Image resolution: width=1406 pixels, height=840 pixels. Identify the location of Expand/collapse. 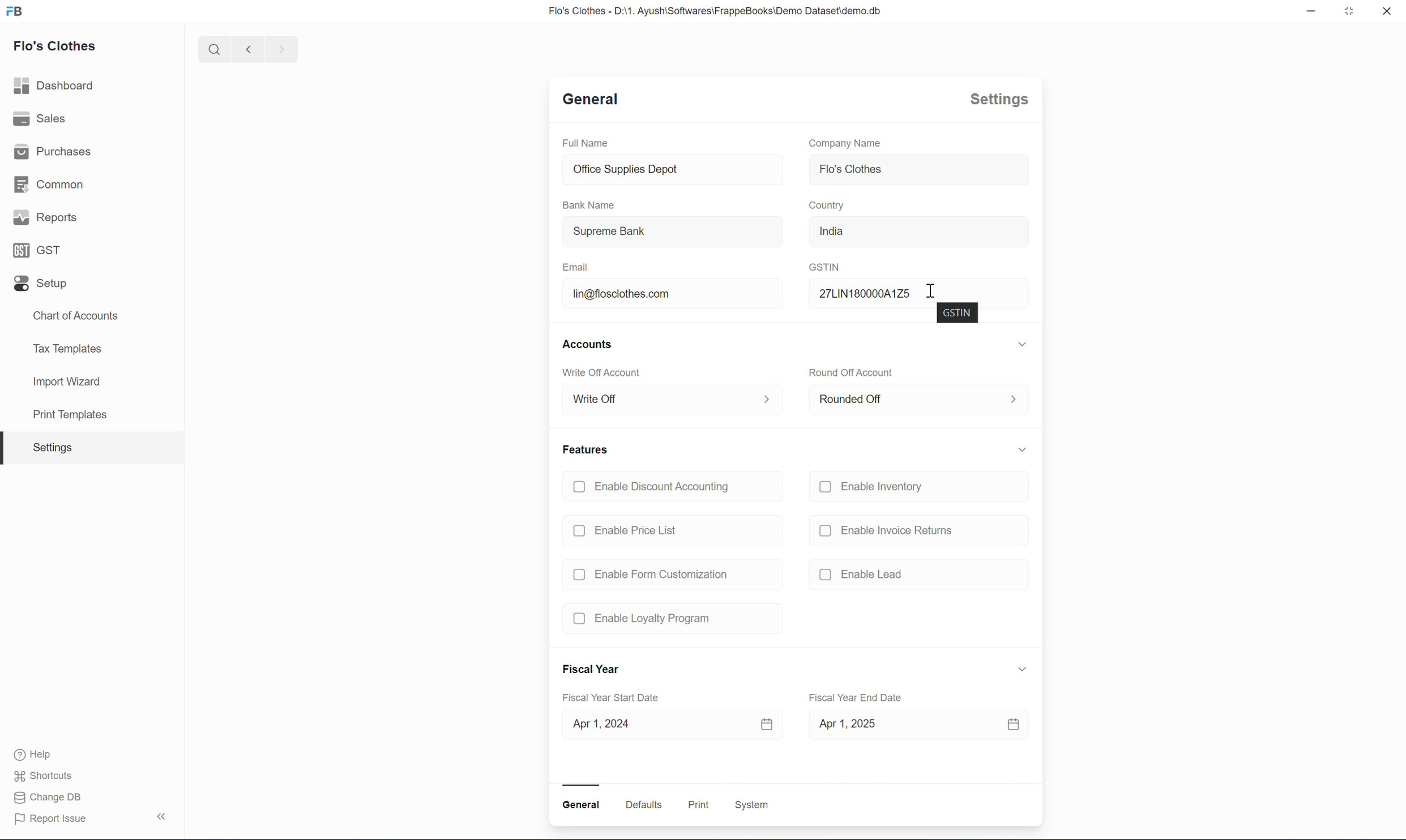
(1023, 449).